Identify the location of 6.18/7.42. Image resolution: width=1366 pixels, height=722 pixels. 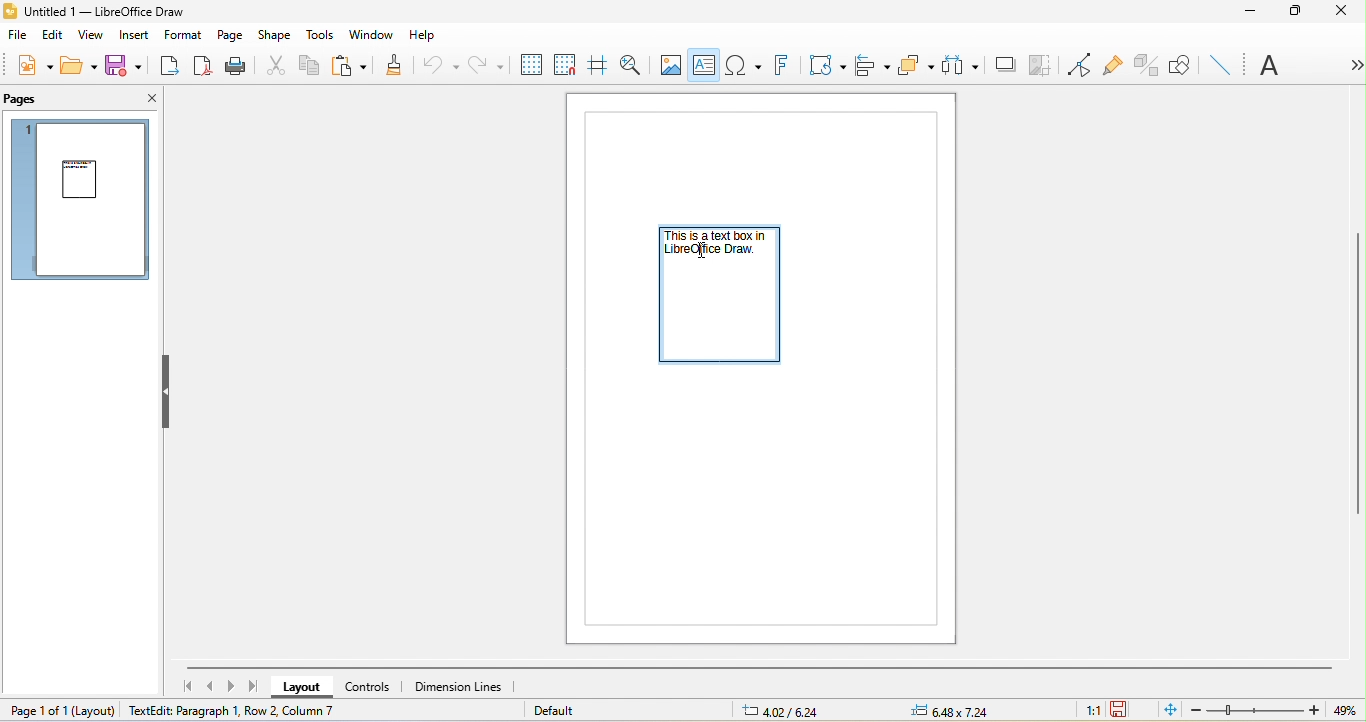
(785, 710).